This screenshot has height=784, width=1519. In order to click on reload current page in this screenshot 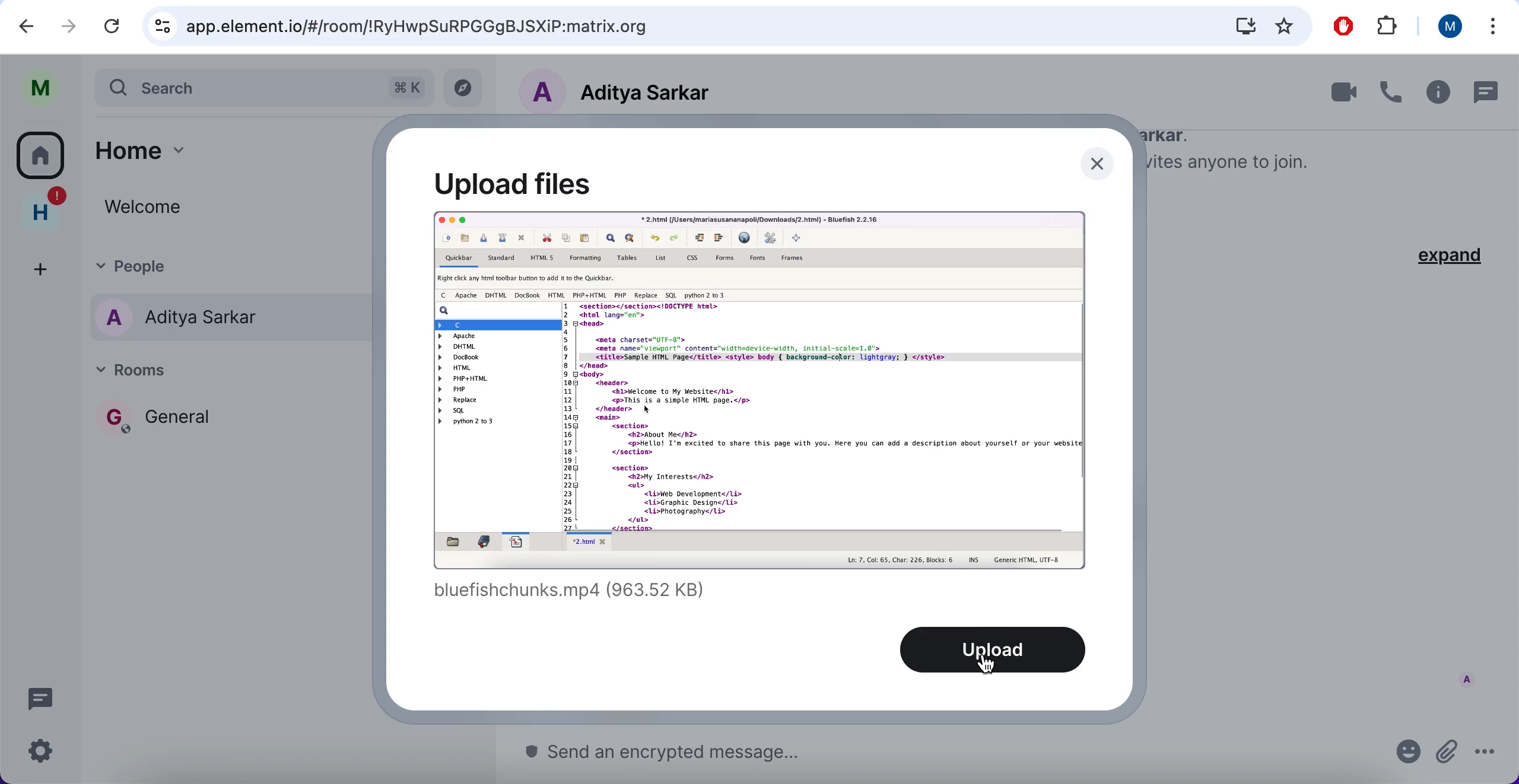, I will do `click(116, 26)`.